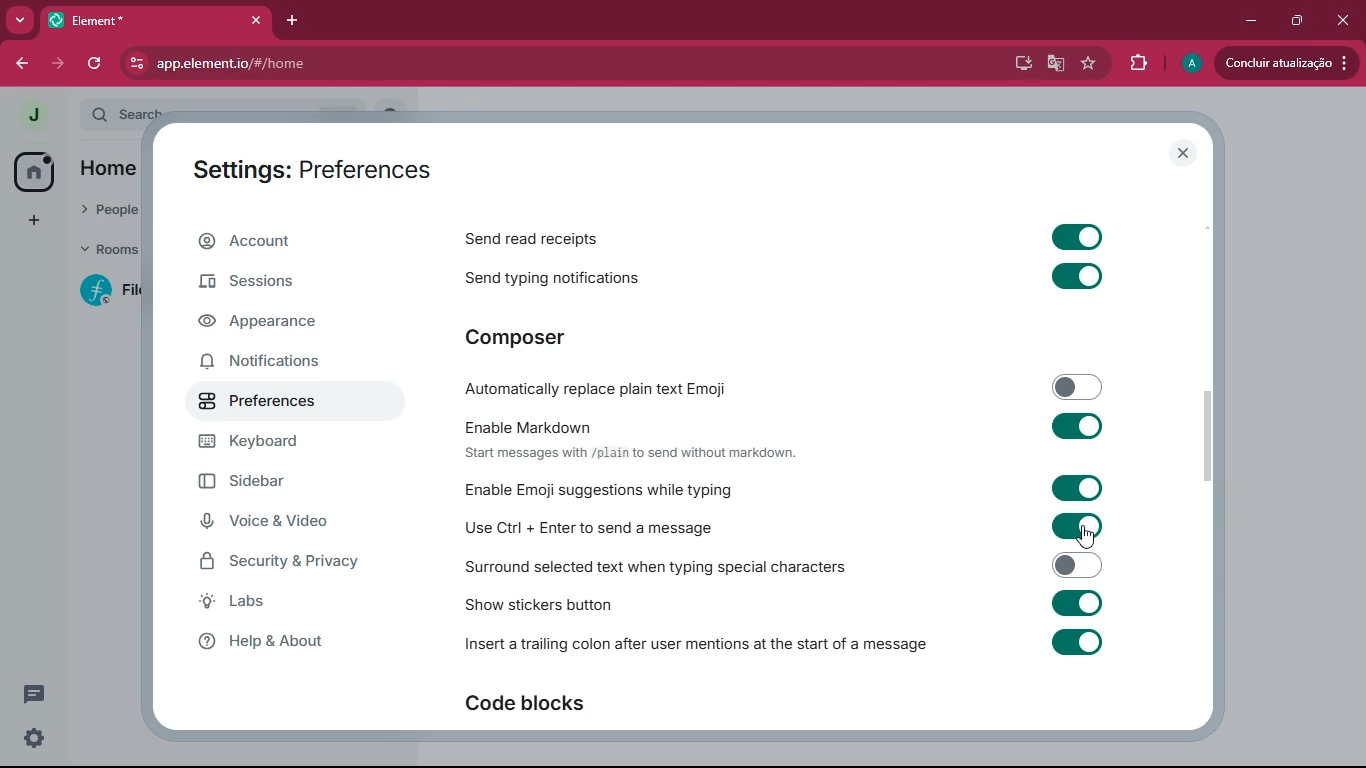 This screenshot has width=1366, height=768. What do you see at coordinates (556, 279) in the screenshot?
I see `send typing notifications` at bounding box center [556, 279].